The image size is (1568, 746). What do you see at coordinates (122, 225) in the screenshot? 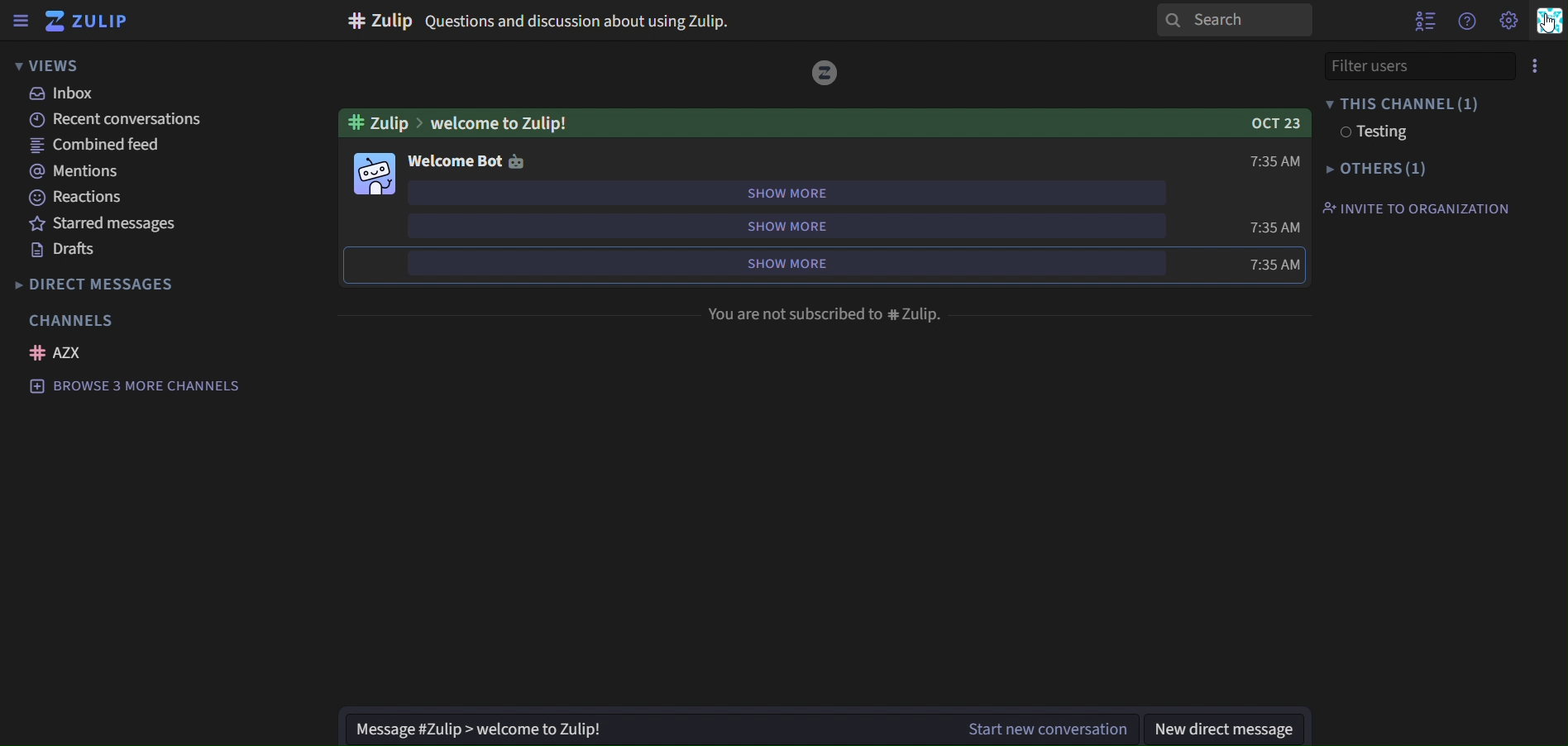
I see `starred messages` at bounding box center [122, 225].